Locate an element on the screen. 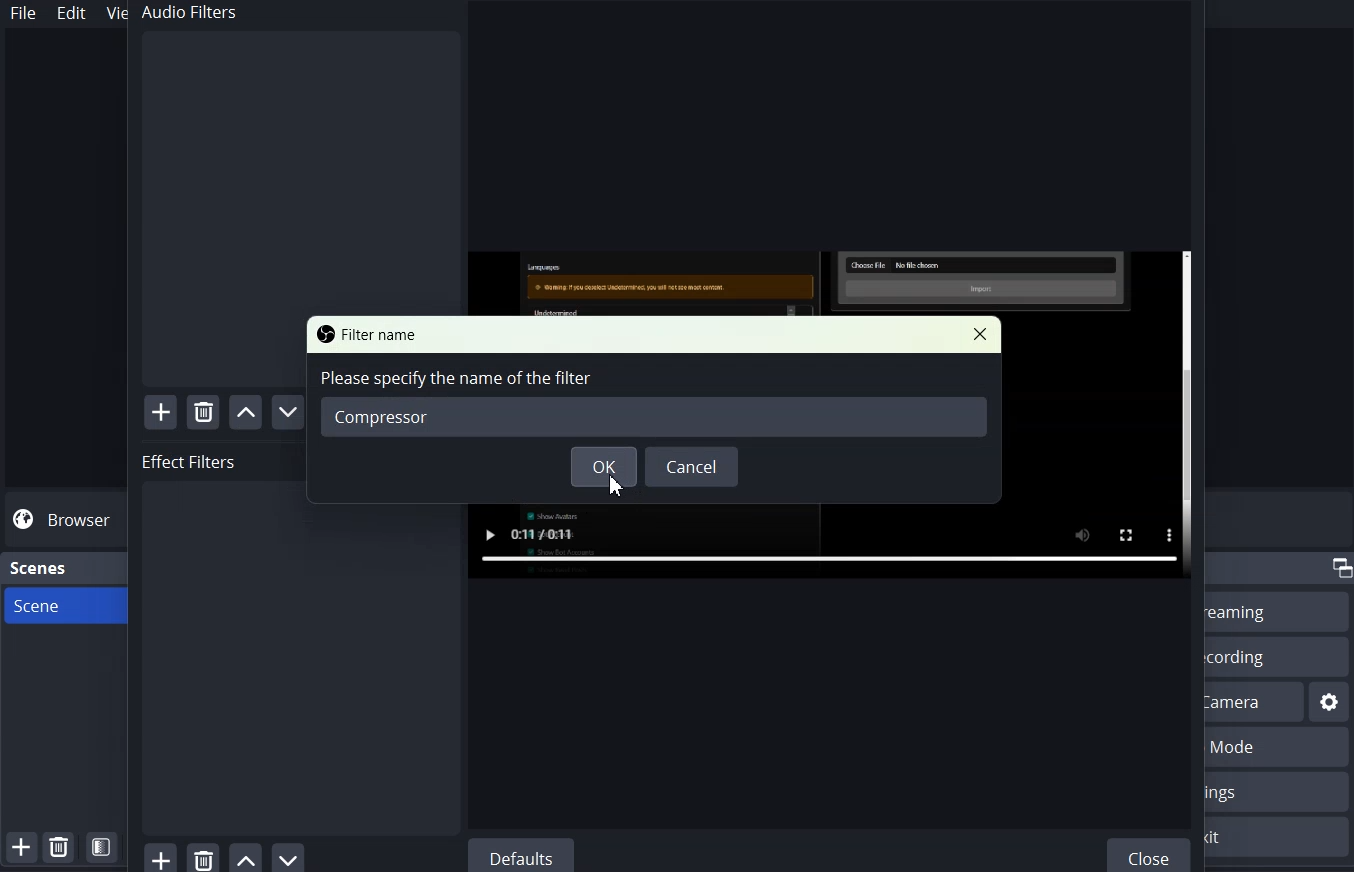 This screenshot has height=872, width=1354. Add Filter is located at coordinates (160, 856).